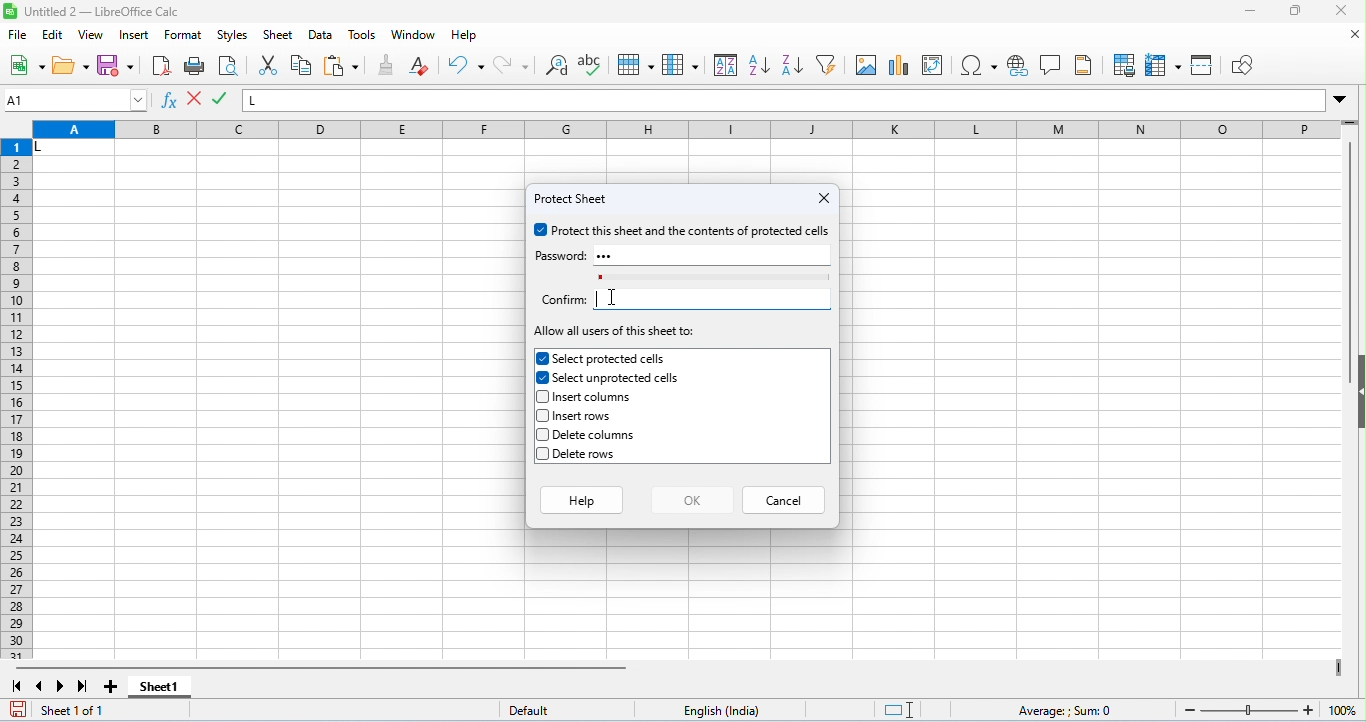  Describe the element at coordinates (559, 256) in the screenshot. I see `password` at that location.